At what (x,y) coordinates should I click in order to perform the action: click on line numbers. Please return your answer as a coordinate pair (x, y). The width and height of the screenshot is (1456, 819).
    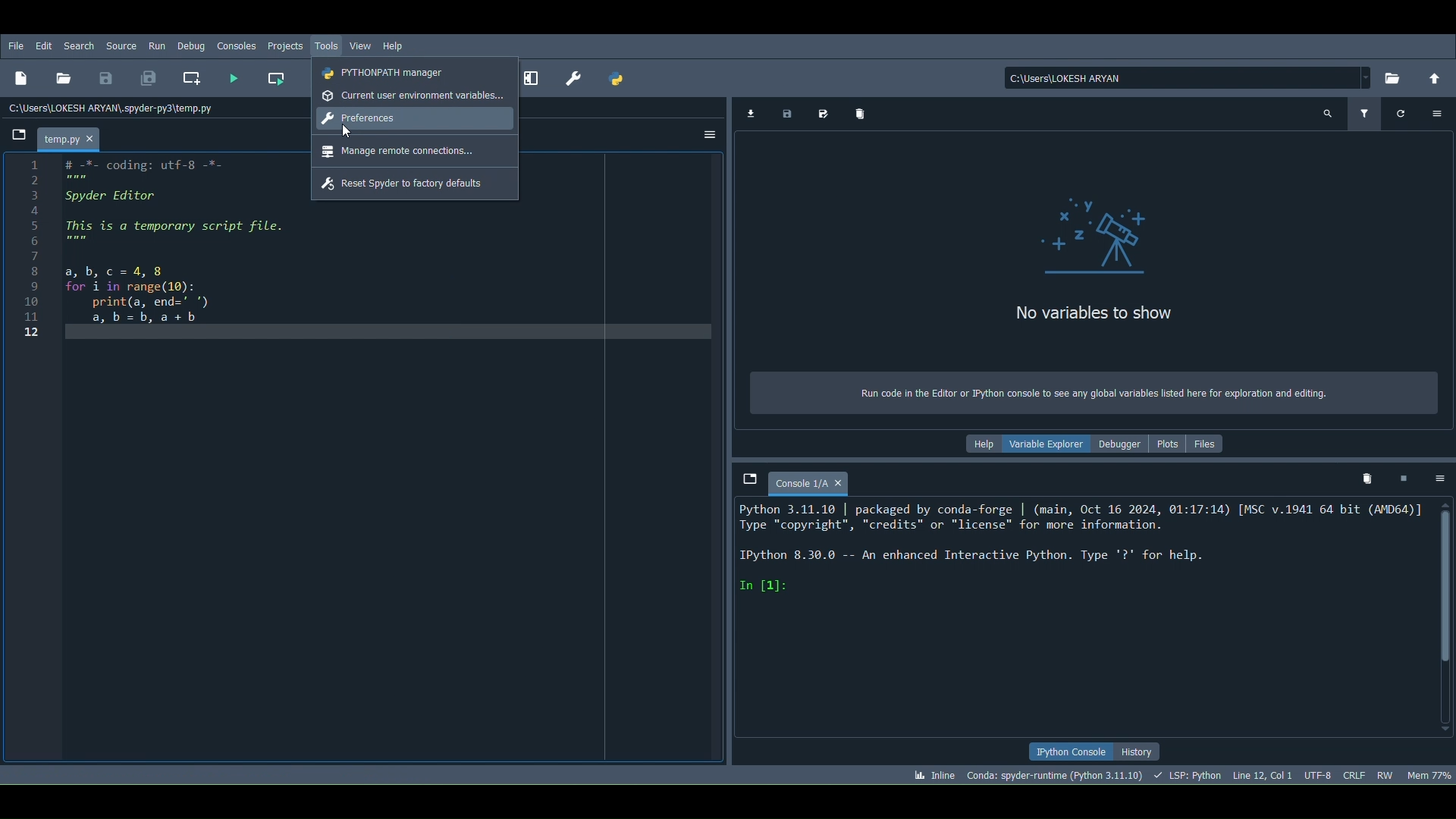
    Looking at the image, I should click on (36, 248).